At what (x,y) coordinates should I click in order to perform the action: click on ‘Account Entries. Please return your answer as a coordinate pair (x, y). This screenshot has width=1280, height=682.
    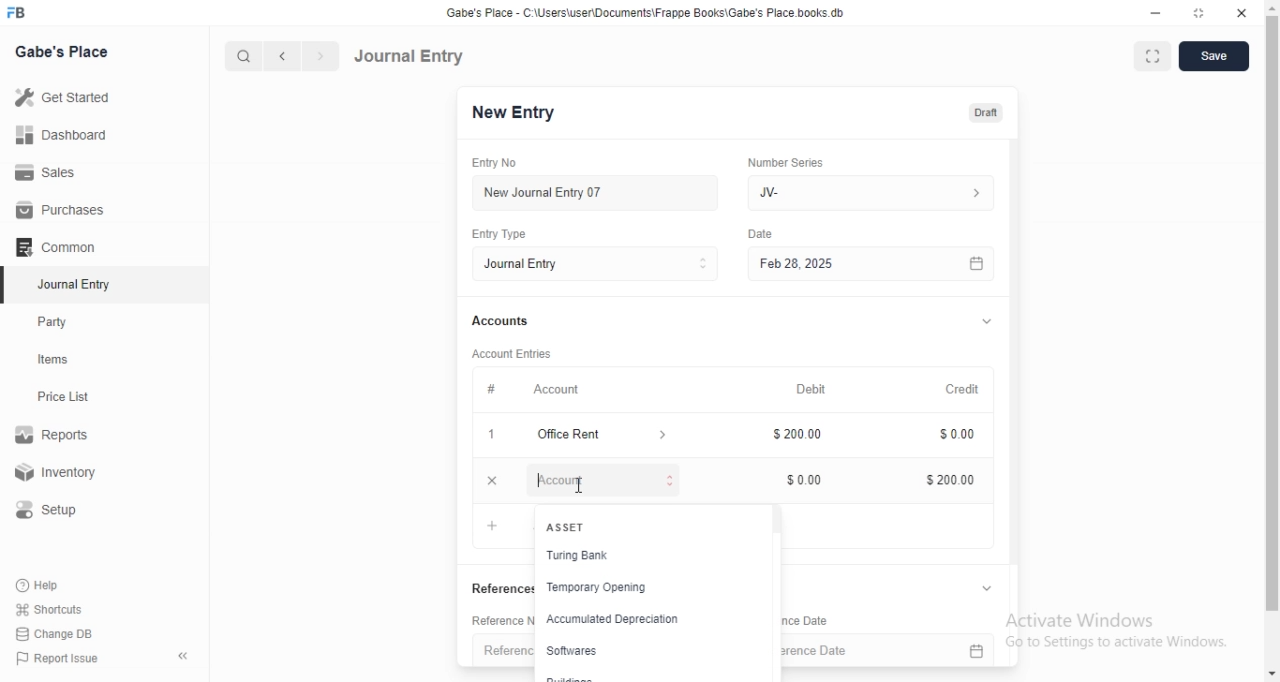
    Looking at the image, I should click on (521, 353).